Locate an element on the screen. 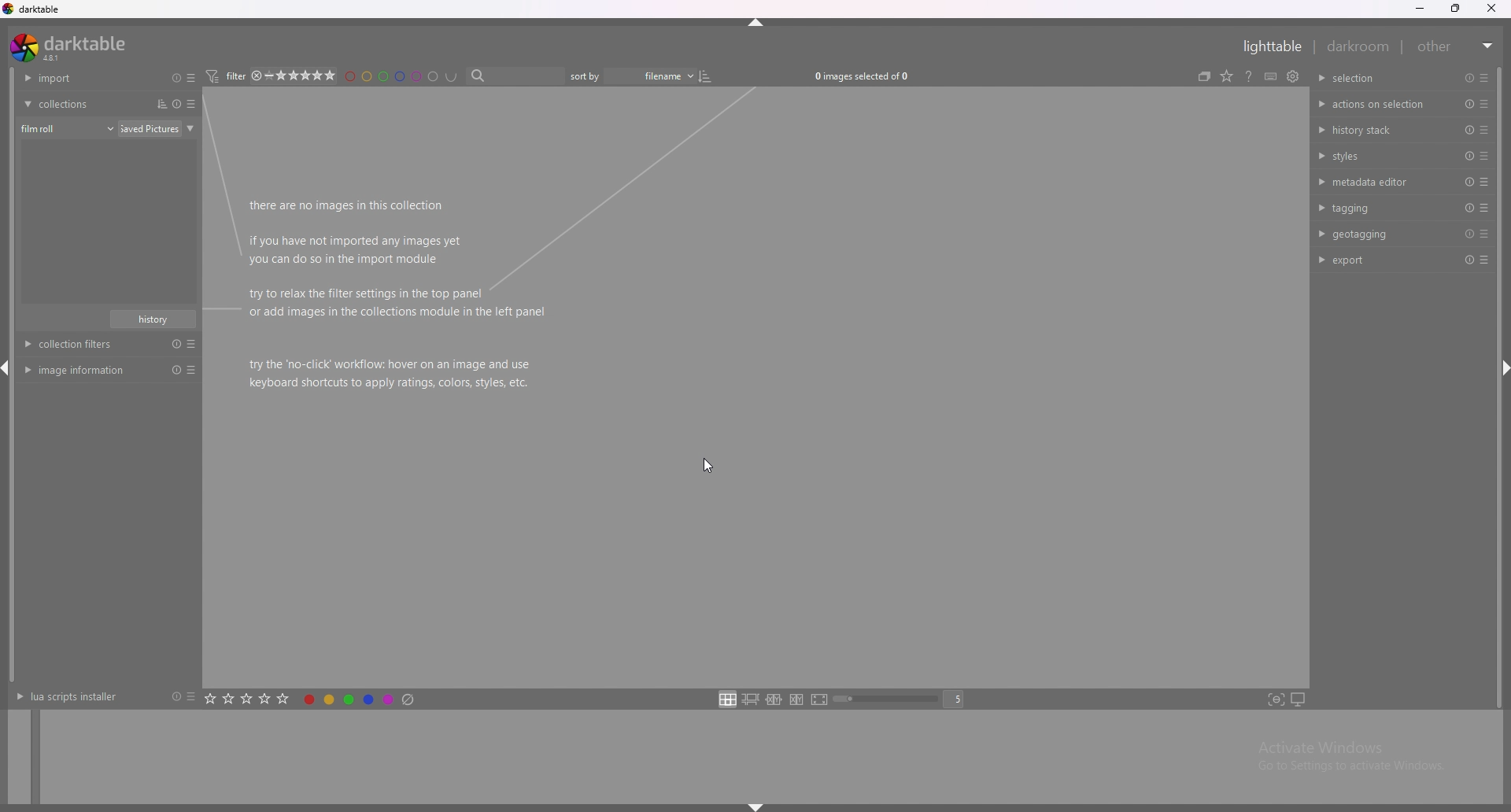 This screenshot has height=812, width=1511. presets is located at coordinates (1485, 105).